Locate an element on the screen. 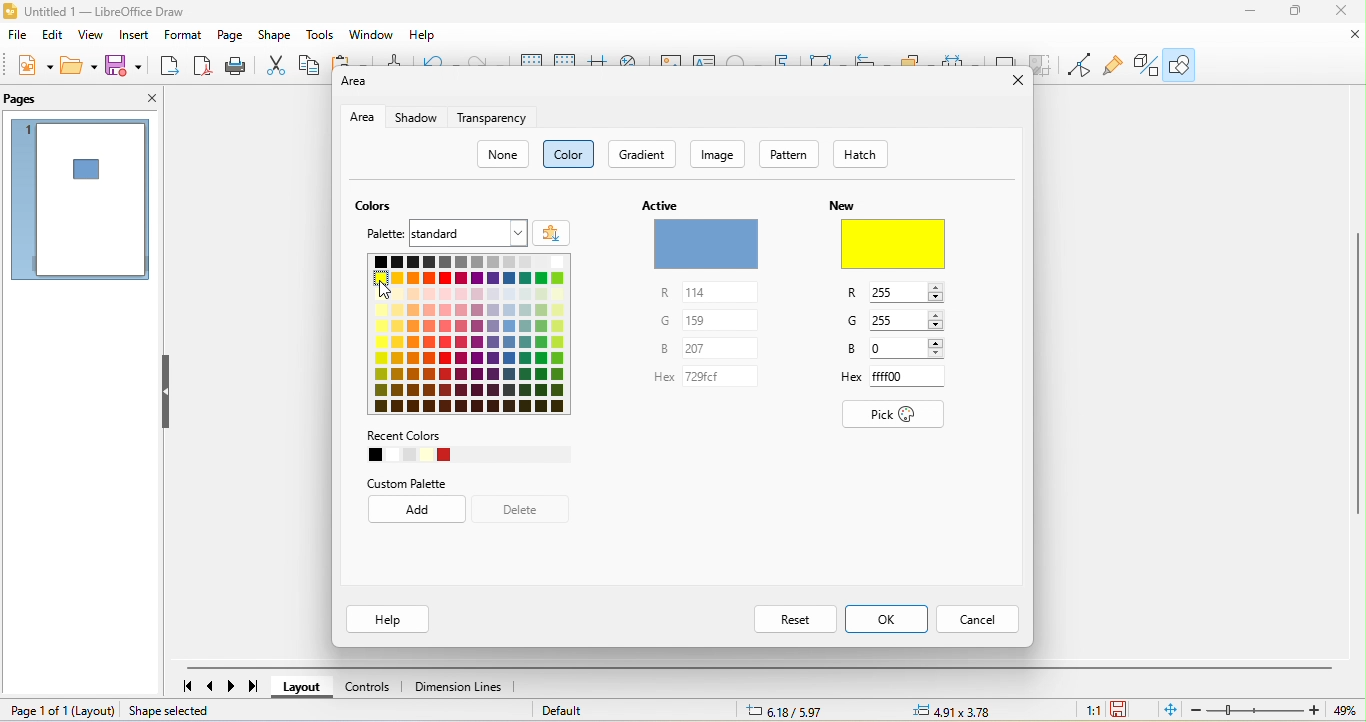 The width and height of the screenshot is (1366, 722).  is located at coordinates (500, 155).